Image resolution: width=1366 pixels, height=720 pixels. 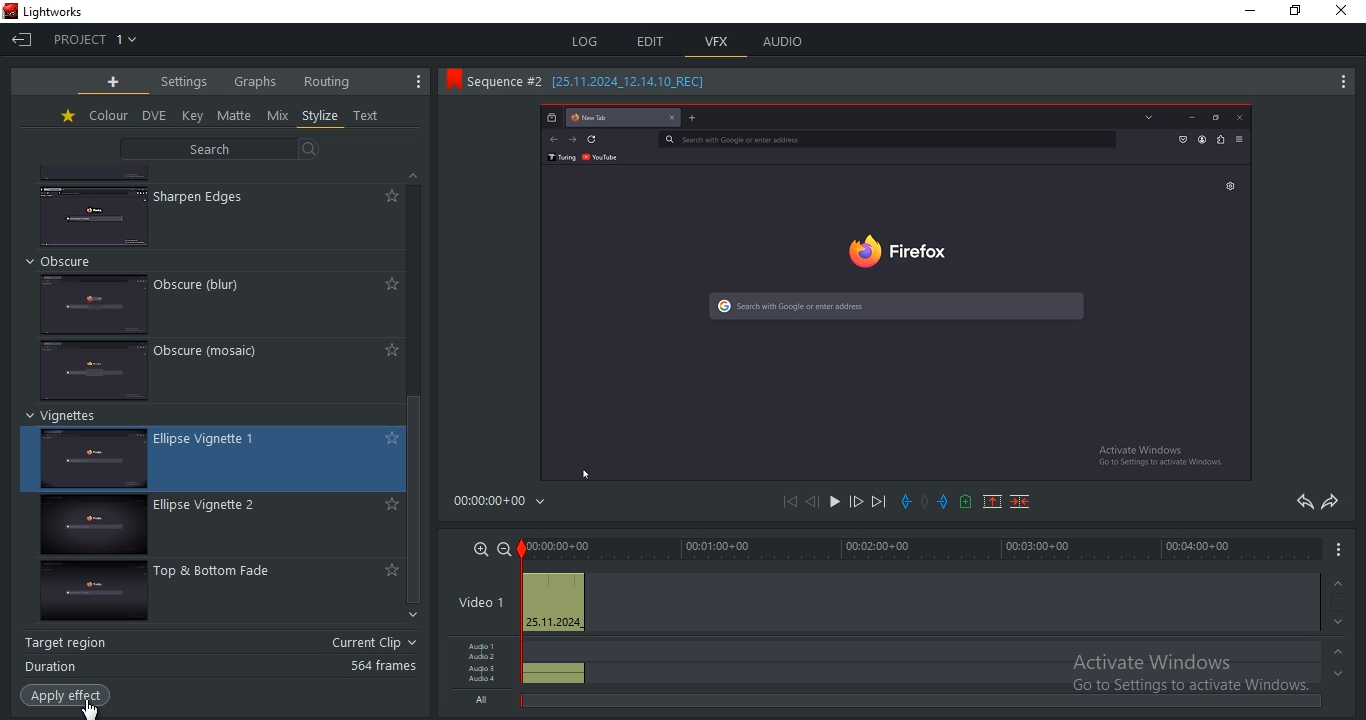 I want to click on delete the marked section, so click(x=1019, y=503).